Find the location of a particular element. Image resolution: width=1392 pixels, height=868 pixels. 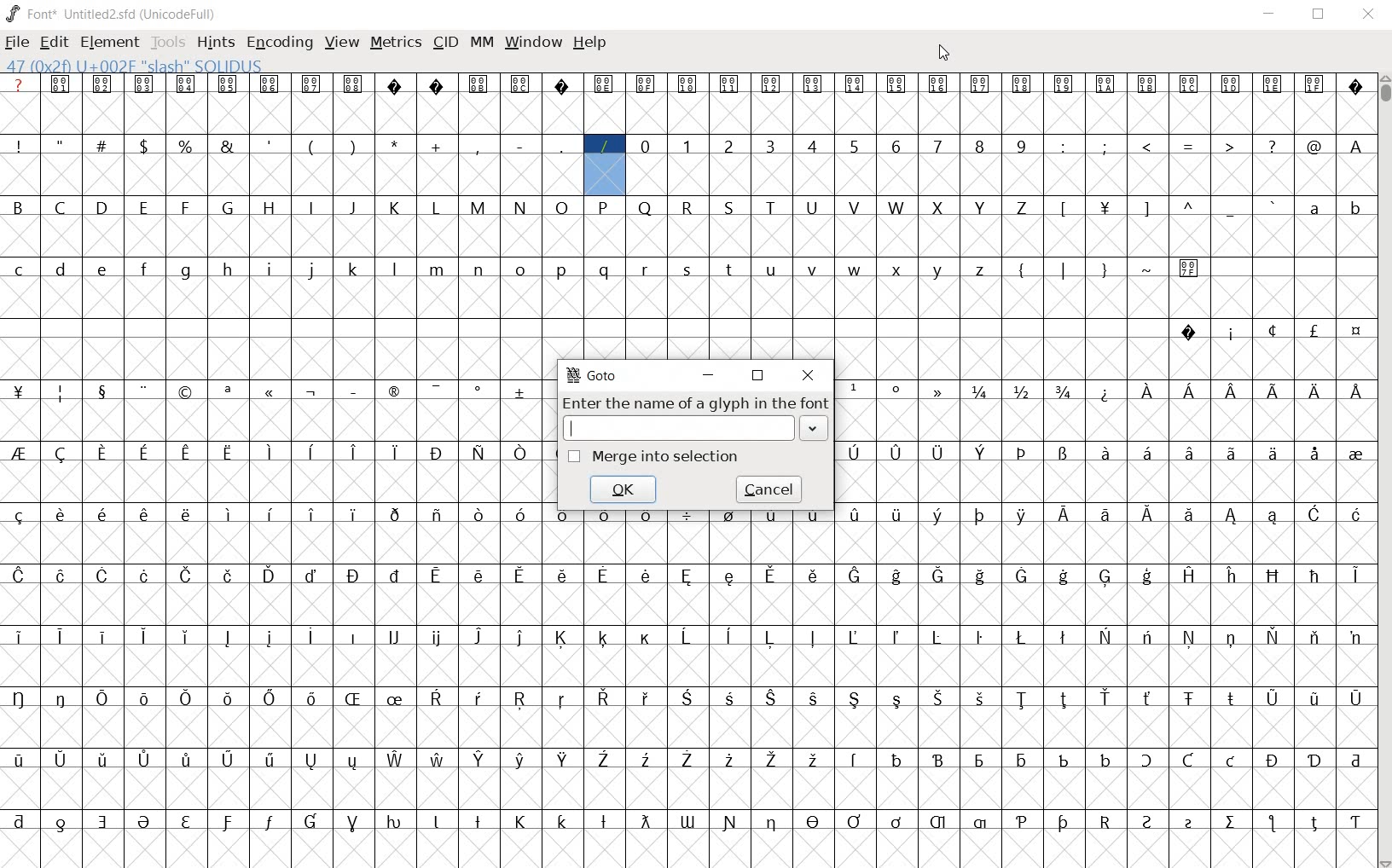

glyph is located at coordinates (1189, 824).